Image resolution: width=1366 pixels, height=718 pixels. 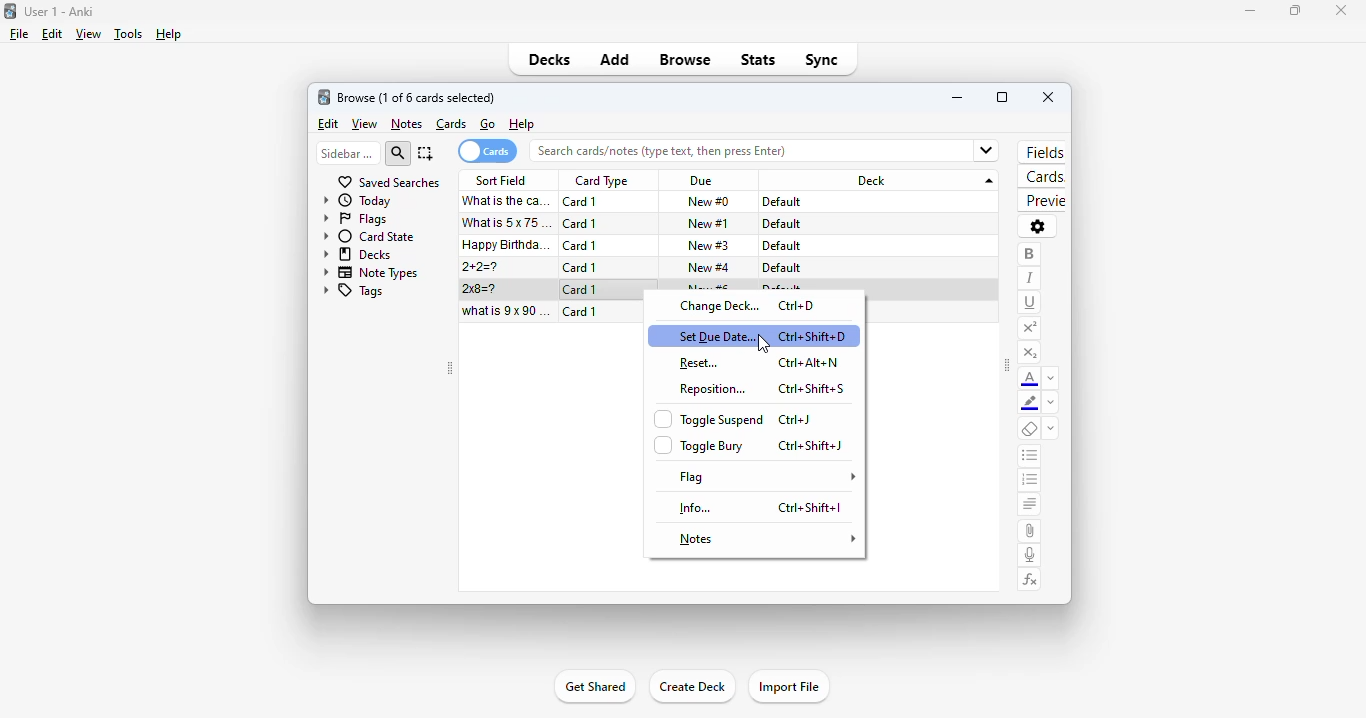 What do you see at coordinates (1051, 430) in the screenshot?
I see `select formatting to remove` at bounding box center [1051, 430].